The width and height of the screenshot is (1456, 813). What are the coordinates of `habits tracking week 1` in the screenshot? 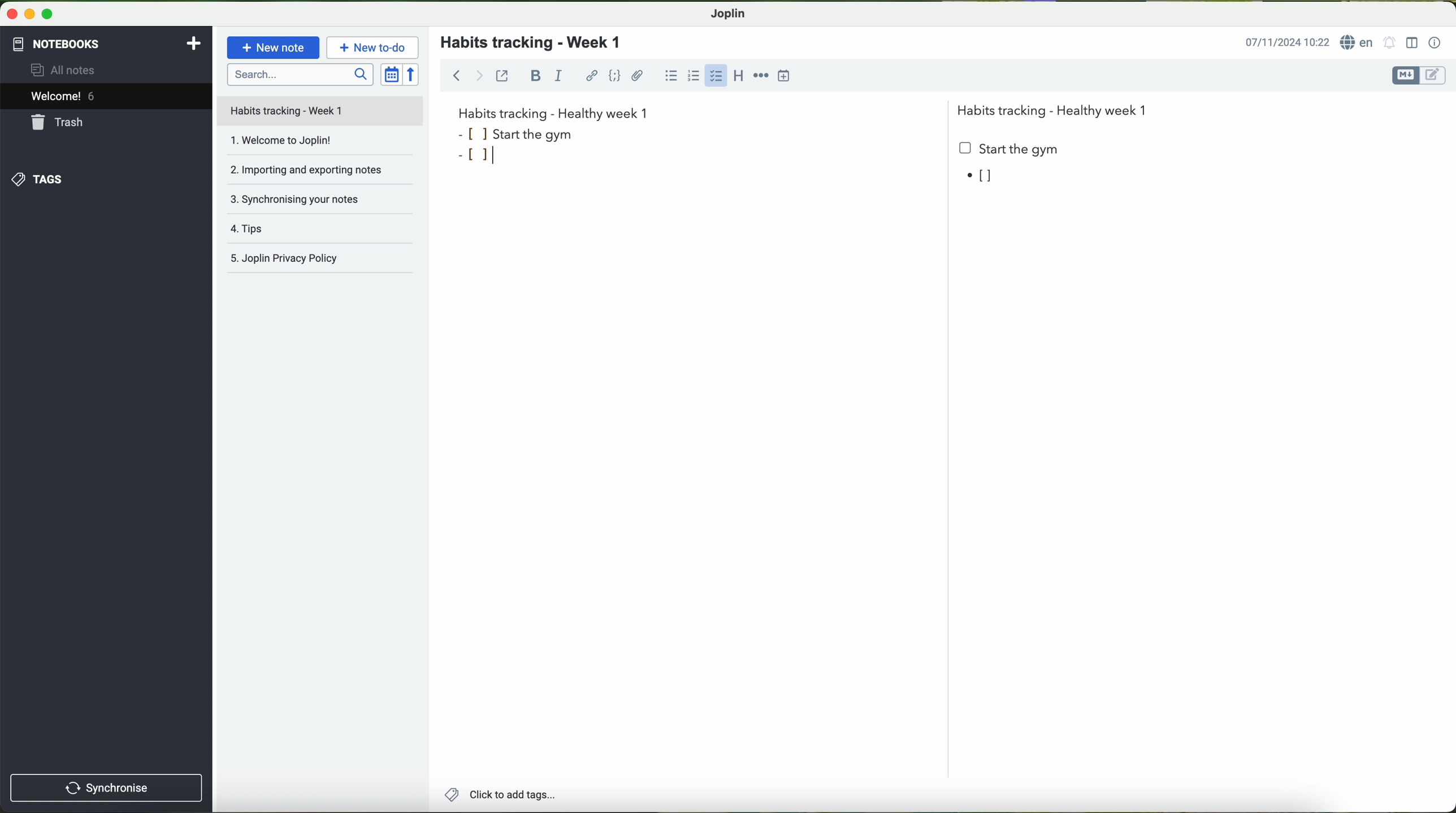 It's located at (553, 112).